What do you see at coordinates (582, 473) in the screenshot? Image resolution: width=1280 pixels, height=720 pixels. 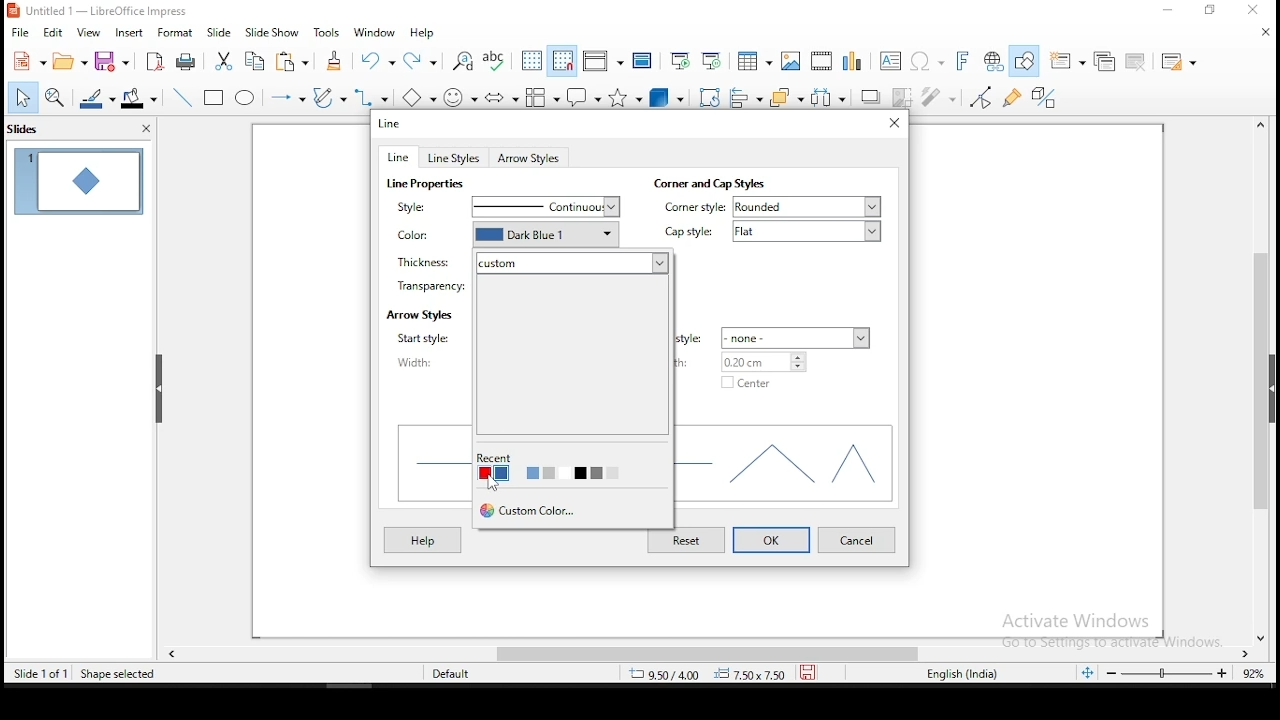 I see `color option` at bounding box center [582, 473].